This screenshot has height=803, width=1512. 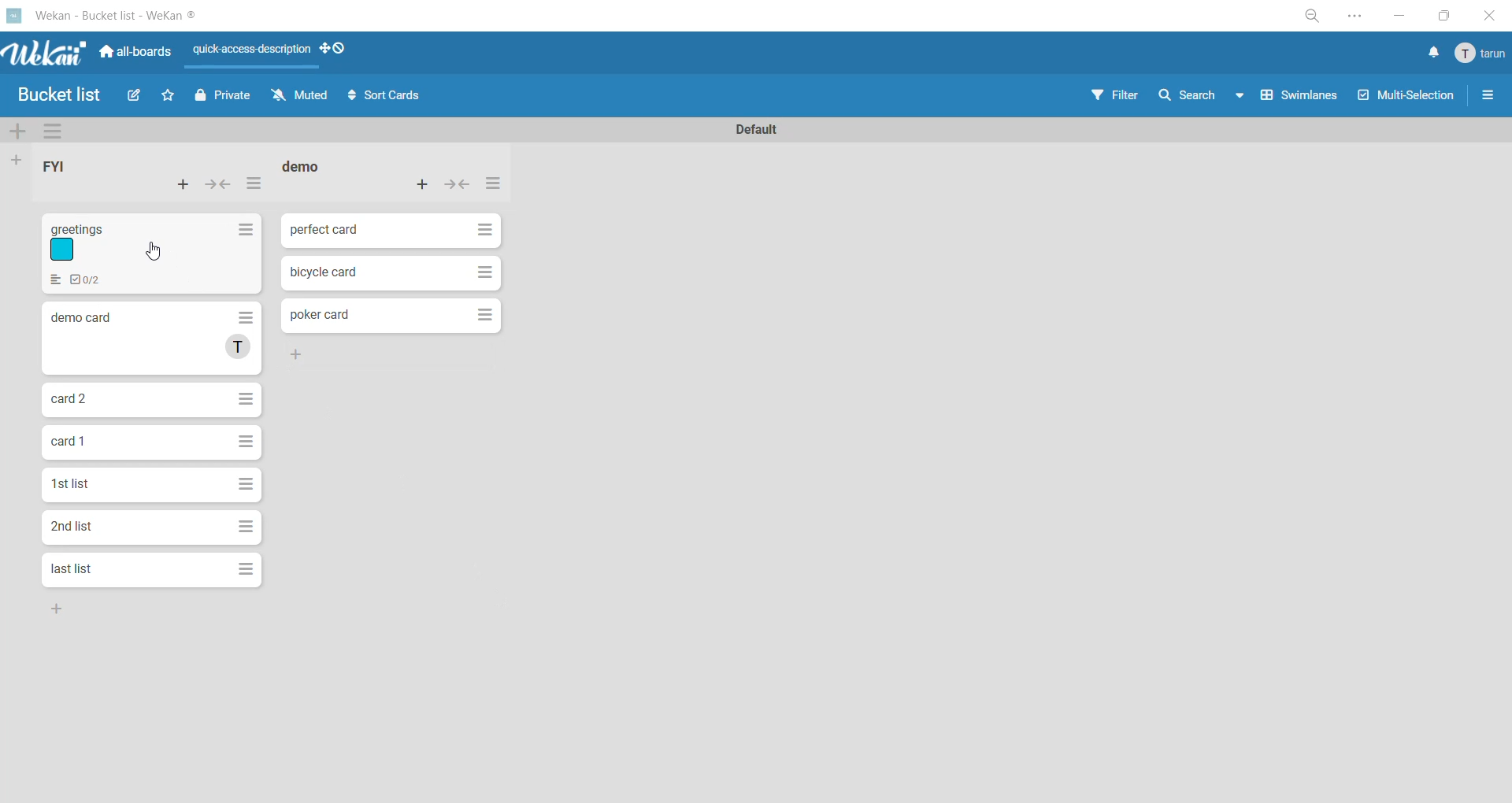 I want to click on Bucket list, so click(x=58, y=94).